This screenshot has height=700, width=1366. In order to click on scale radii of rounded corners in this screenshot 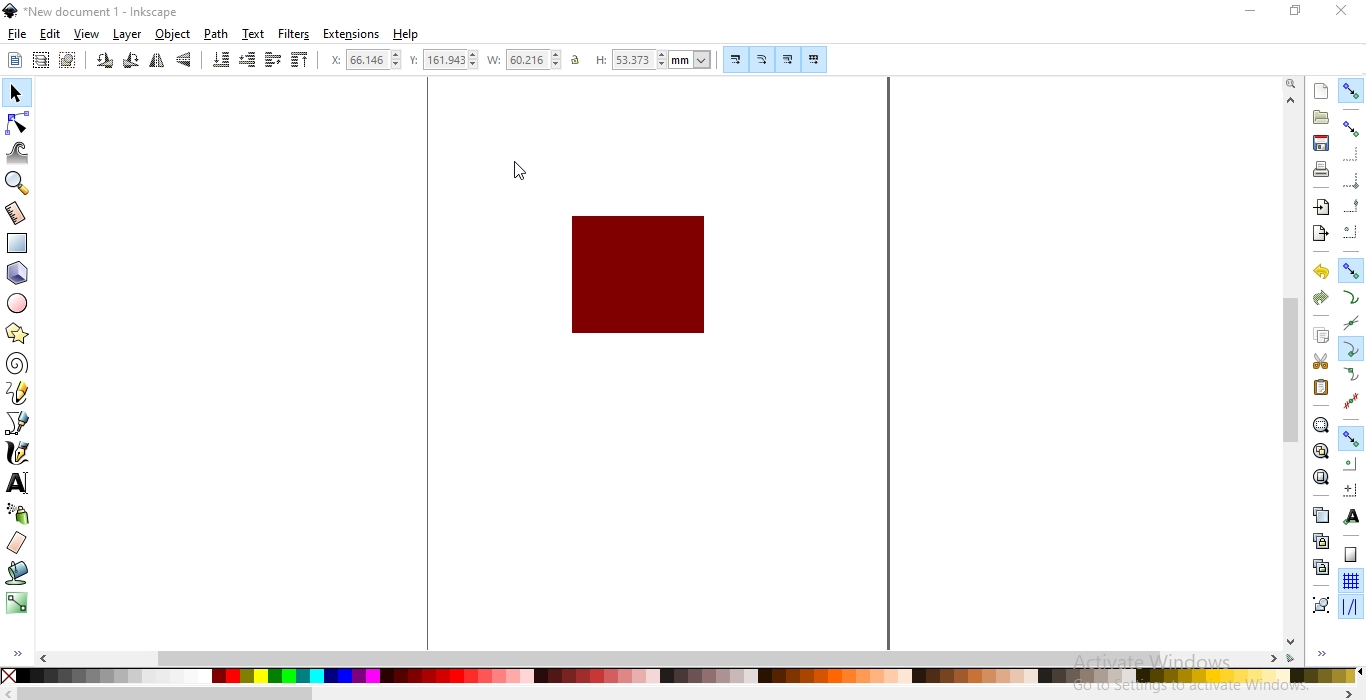, I will do `click(761, 59)`.